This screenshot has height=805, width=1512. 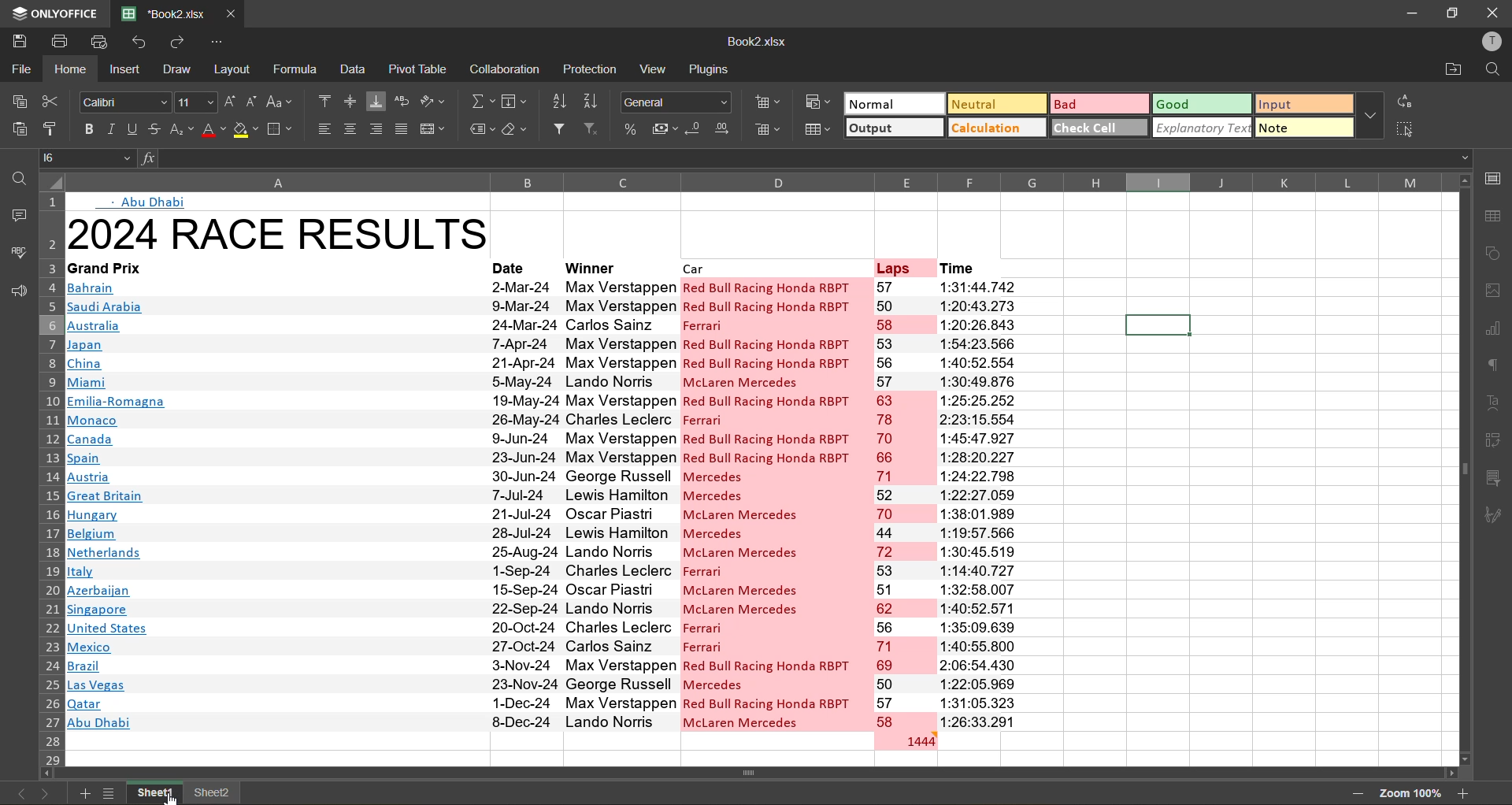 I want to click on fill color, so click(x=245, y=131).